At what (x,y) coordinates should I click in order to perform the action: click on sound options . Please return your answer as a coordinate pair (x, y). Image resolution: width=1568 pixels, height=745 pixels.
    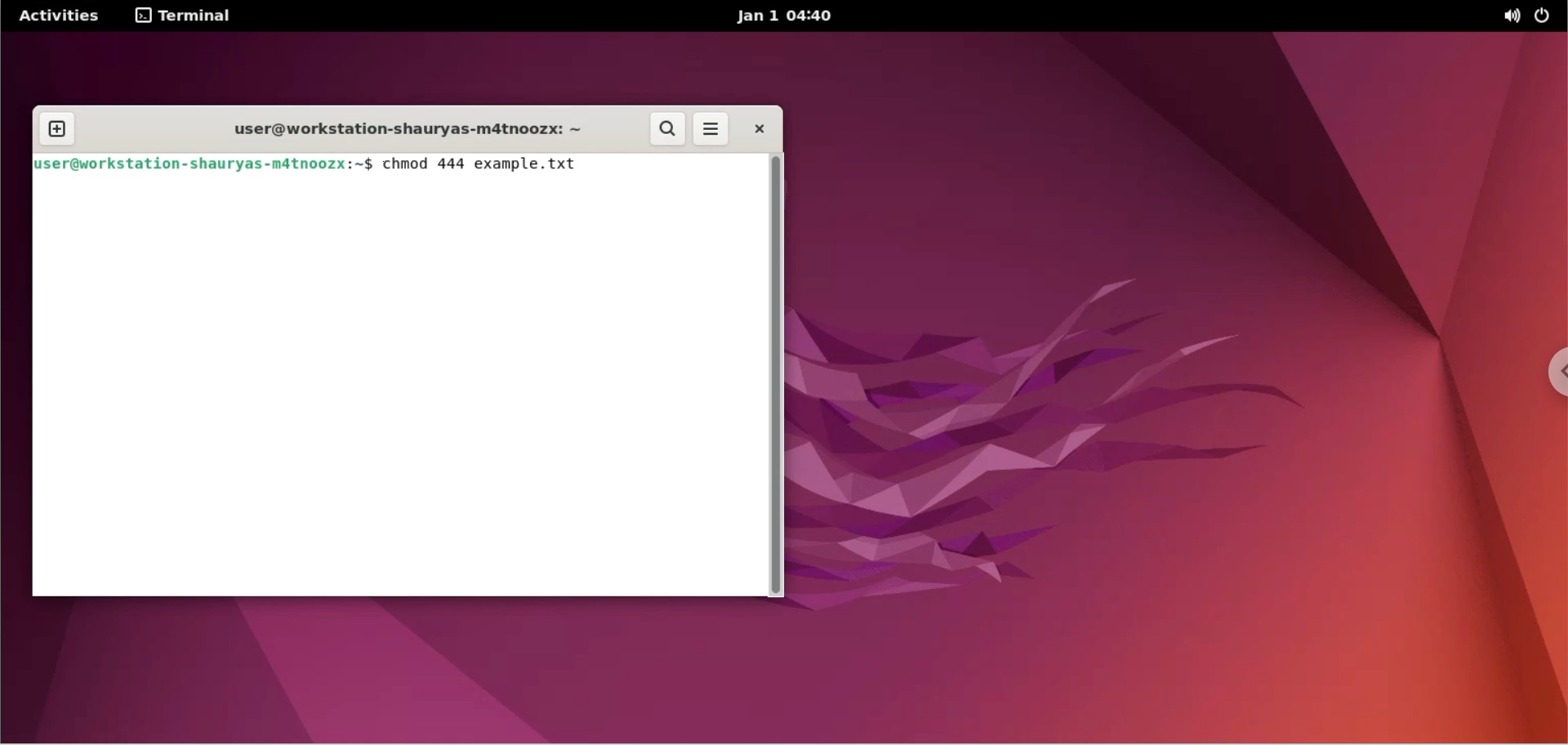
    Looking at the image, I should click on (1511, 17).